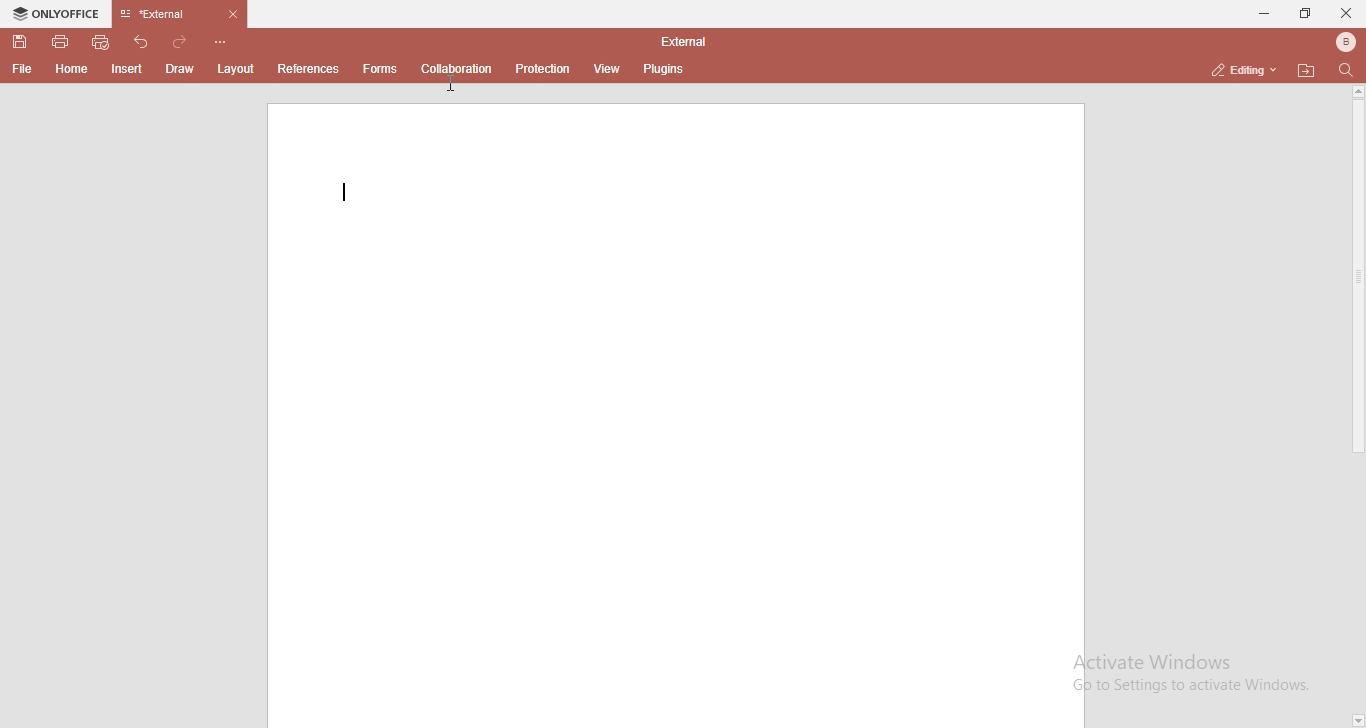  Describe the element at coordinates (180, 42) in the screenshot. I see `redo` at that location.